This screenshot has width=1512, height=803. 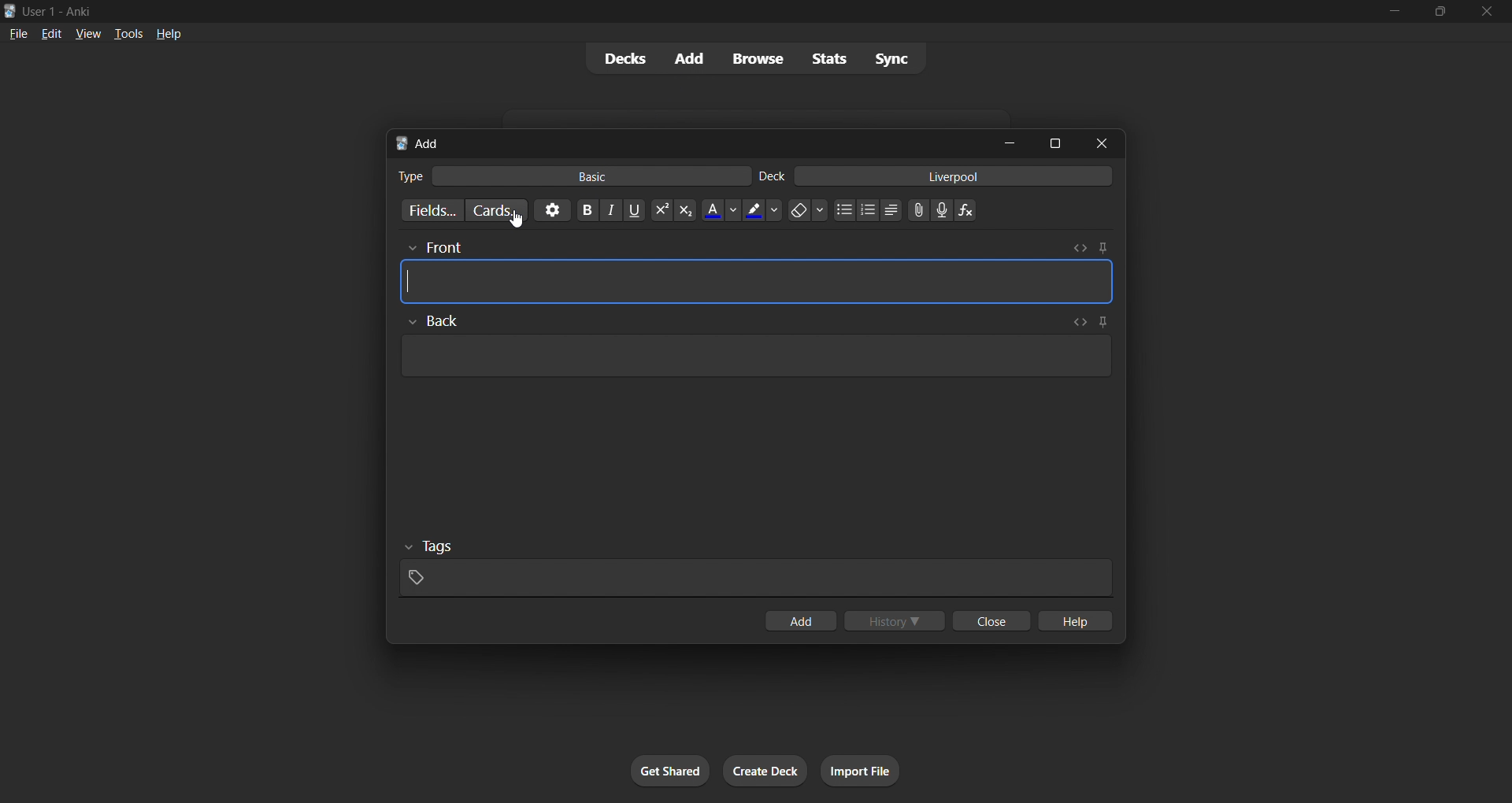 What do you see at coordinates (781, 213) in the screenshot?
I see `simple text formatting` at bounding box center [781, 213].